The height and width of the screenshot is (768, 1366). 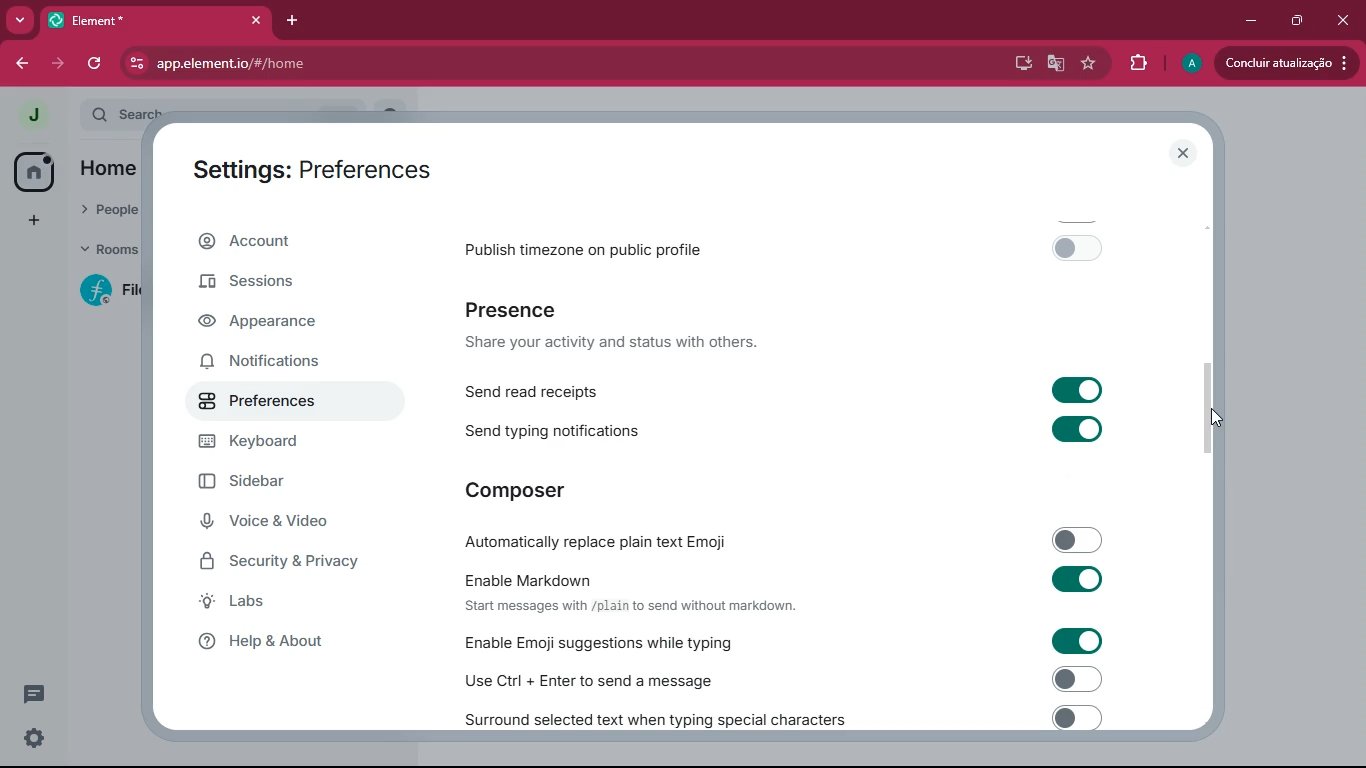 What do you see at coordinates (1250, 21) in the screenshot?
I see `minimize` at bounding box center [1250, 21].